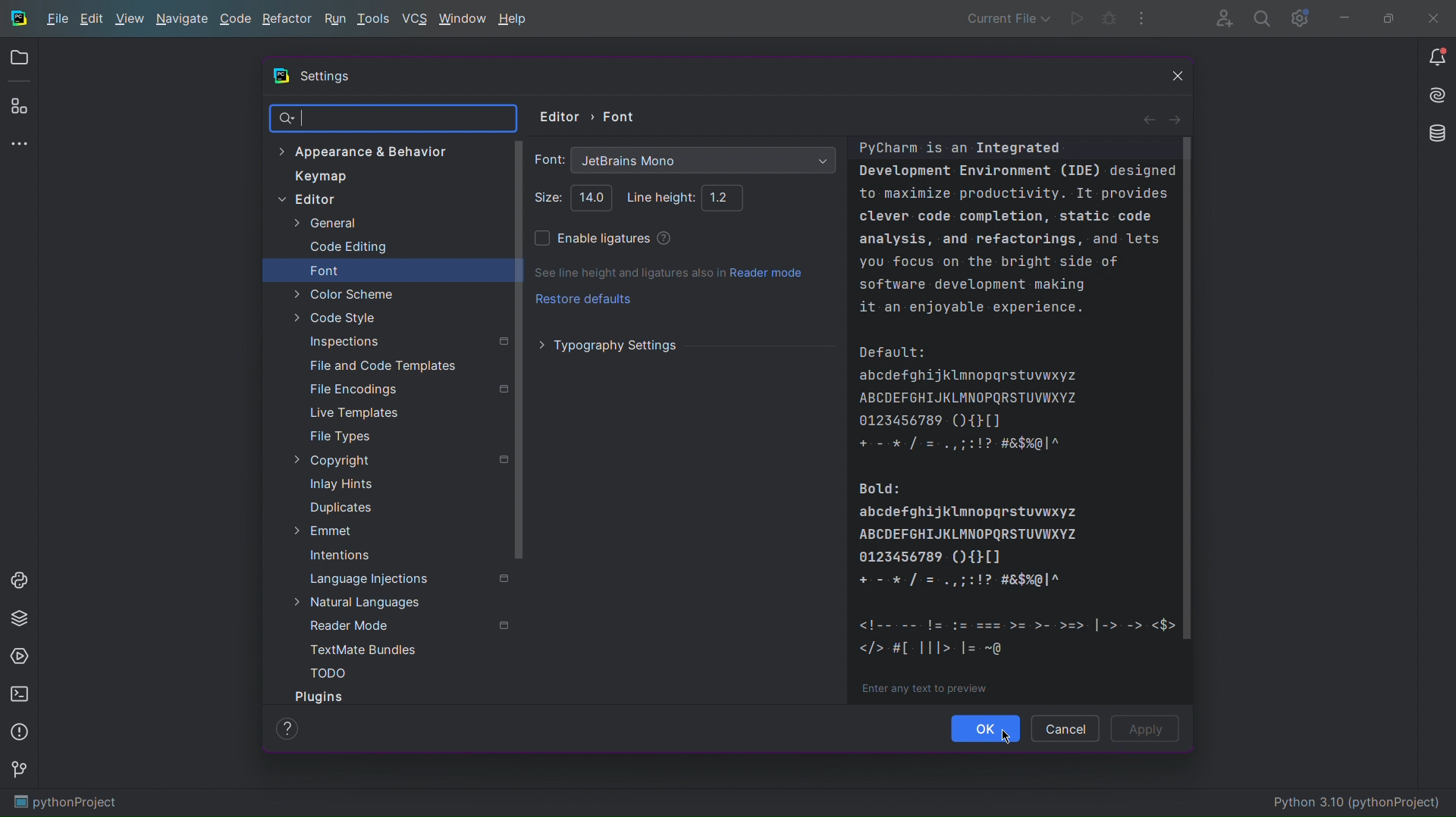 The image size is (1456, 817). I want to click on Typography, so click(607, 343).